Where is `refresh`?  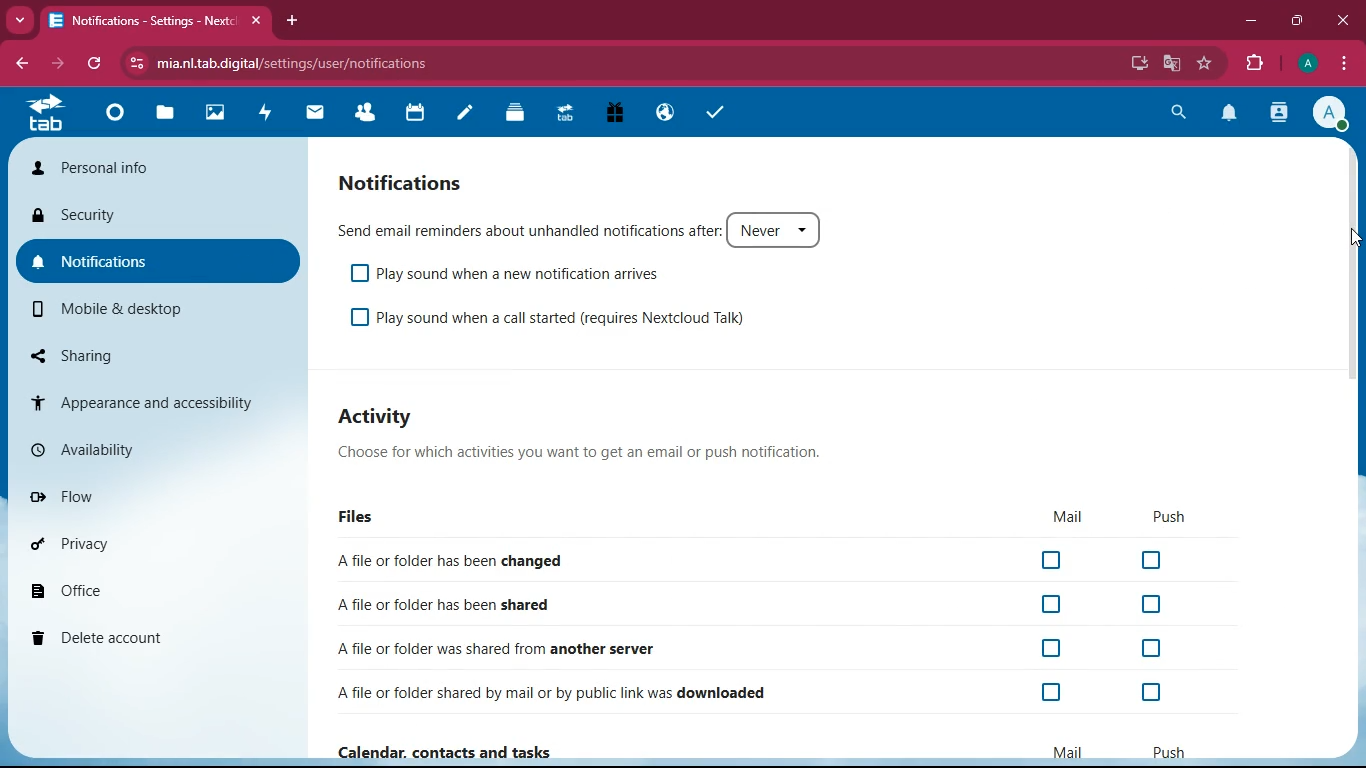 refresh is located at coordinates (96, 62).